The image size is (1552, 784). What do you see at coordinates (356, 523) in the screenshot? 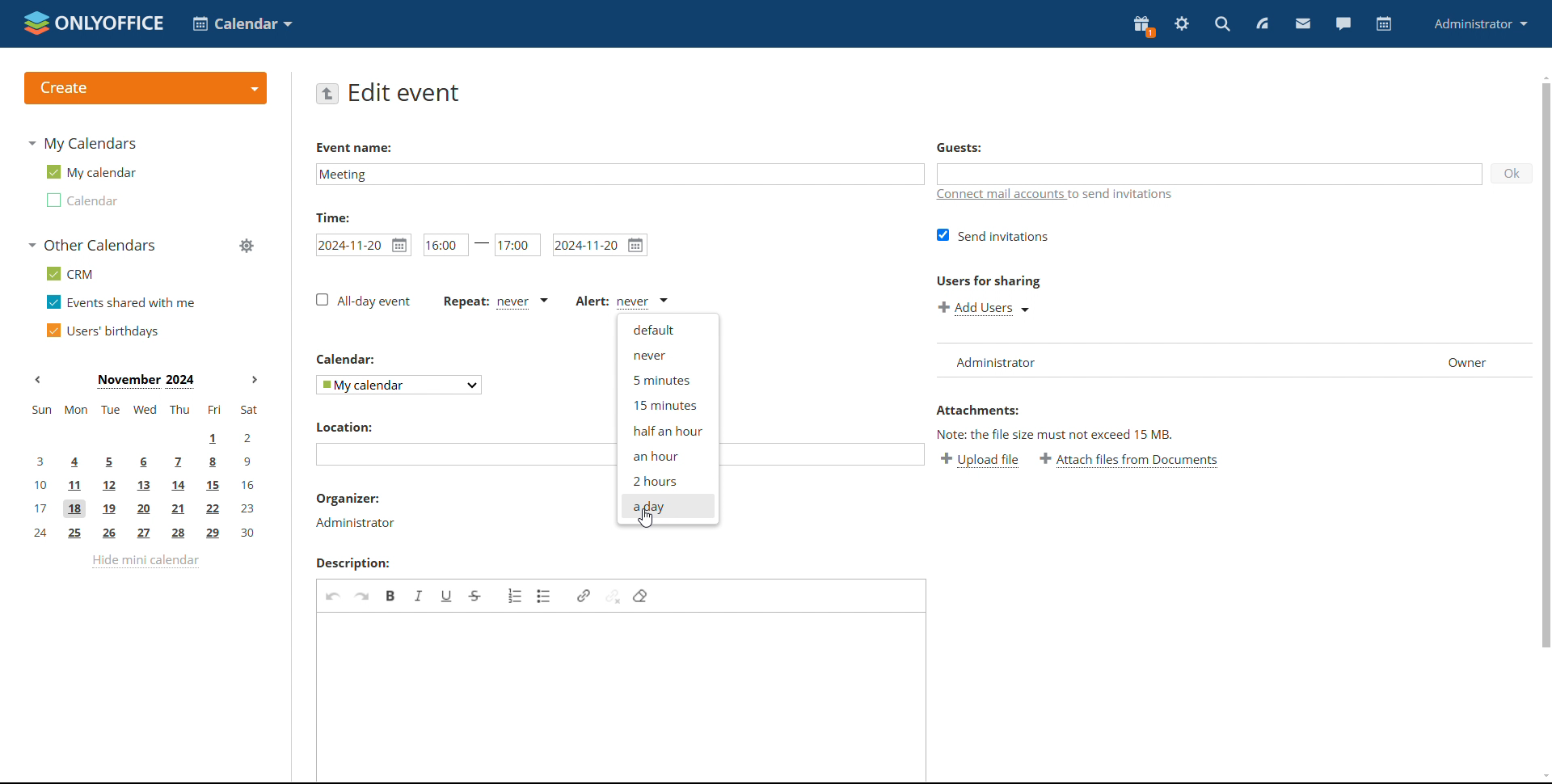
I see `organiser` at bounding box center [356, 523].